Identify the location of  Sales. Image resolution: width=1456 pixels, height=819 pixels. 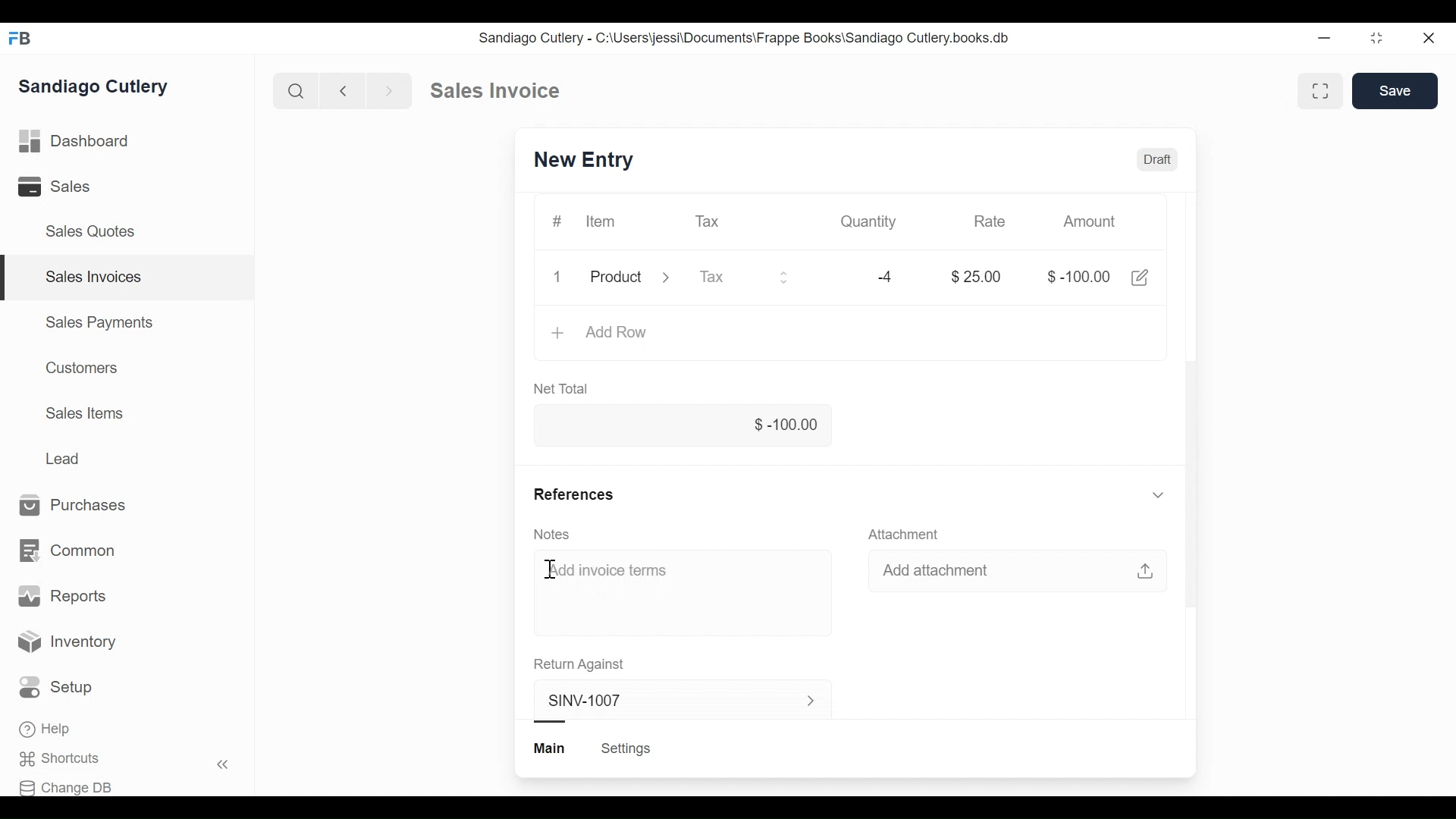
(52, 186).